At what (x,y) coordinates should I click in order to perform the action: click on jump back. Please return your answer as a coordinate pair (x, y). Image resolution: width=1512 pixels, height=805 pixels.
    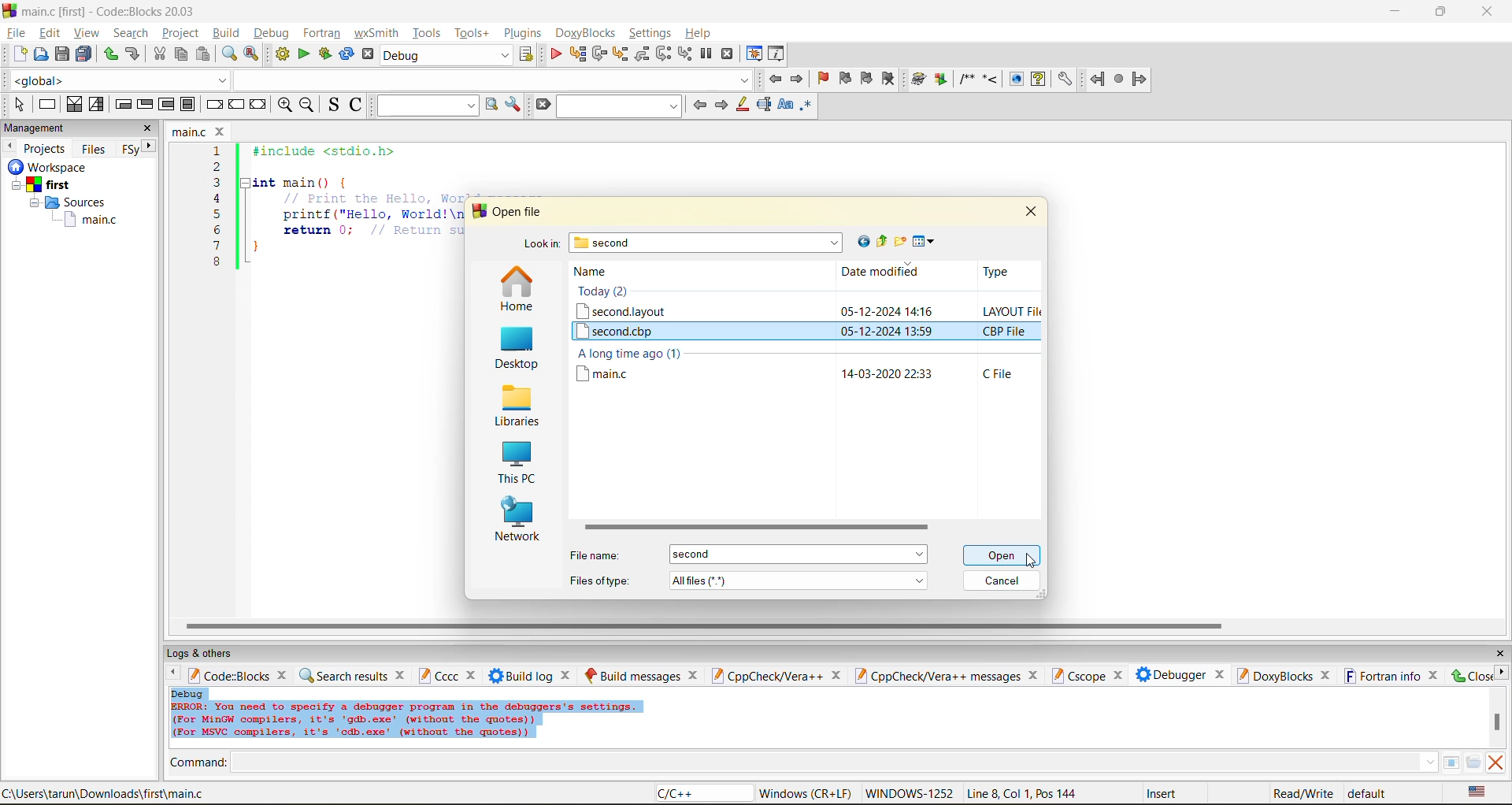
    Looking at the image, I should click on (773, 79).